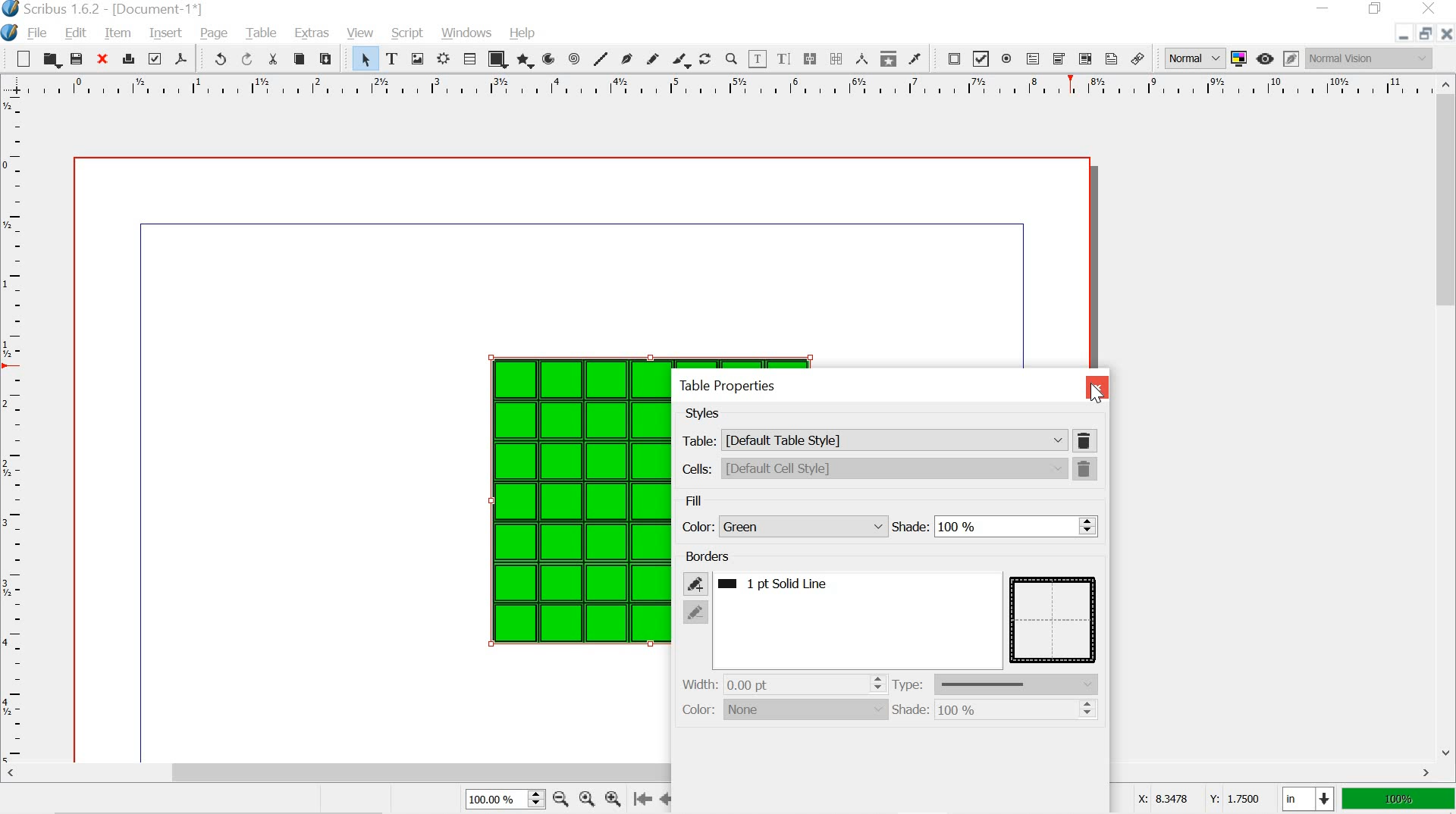 The width and height of the screenshot is (1456, 814). I want to click on table, so click(560, 512).